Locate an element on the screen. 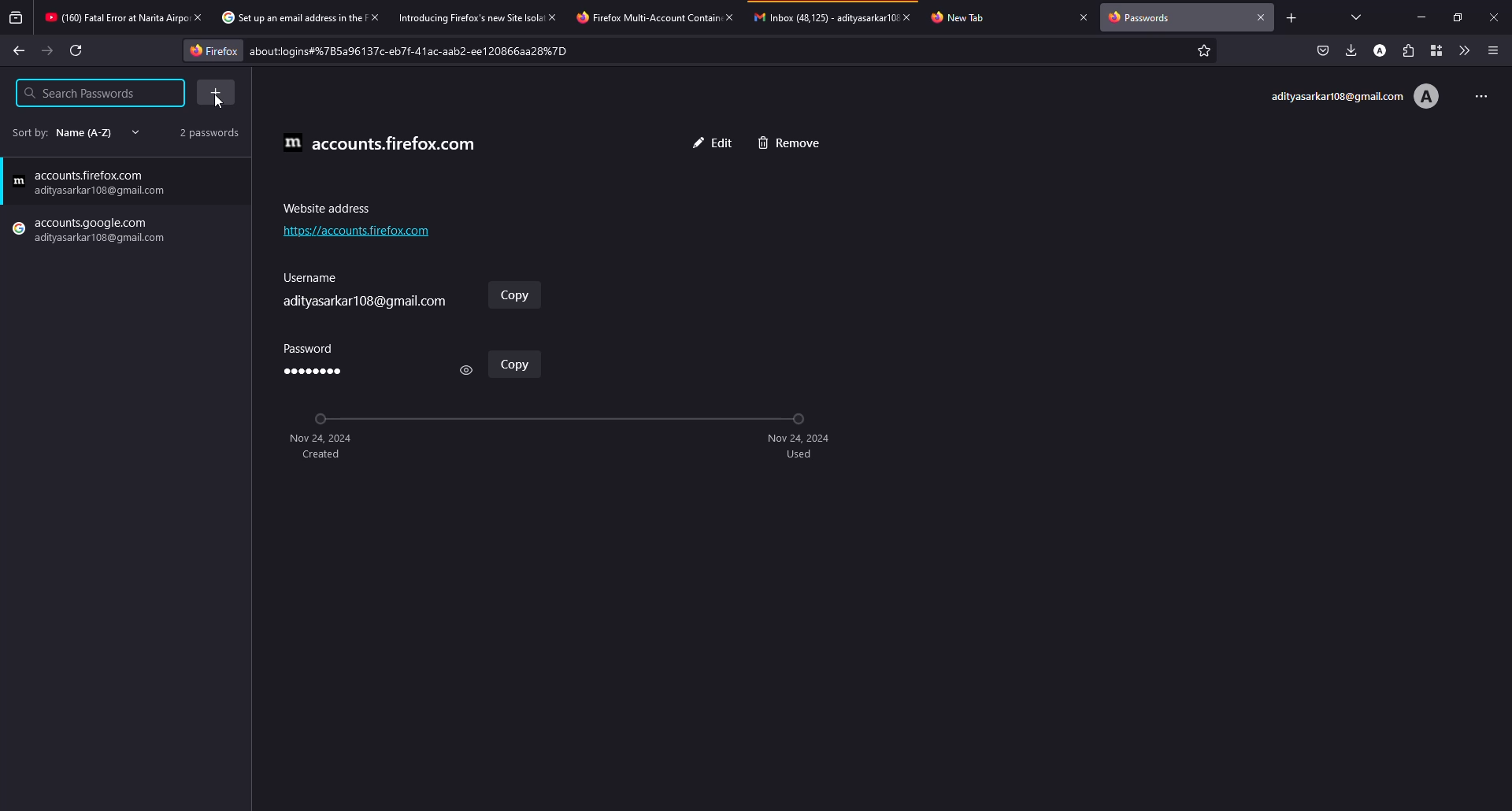 This screenshot has width=1512, height=811. close is located at coordinates (1084, 17).